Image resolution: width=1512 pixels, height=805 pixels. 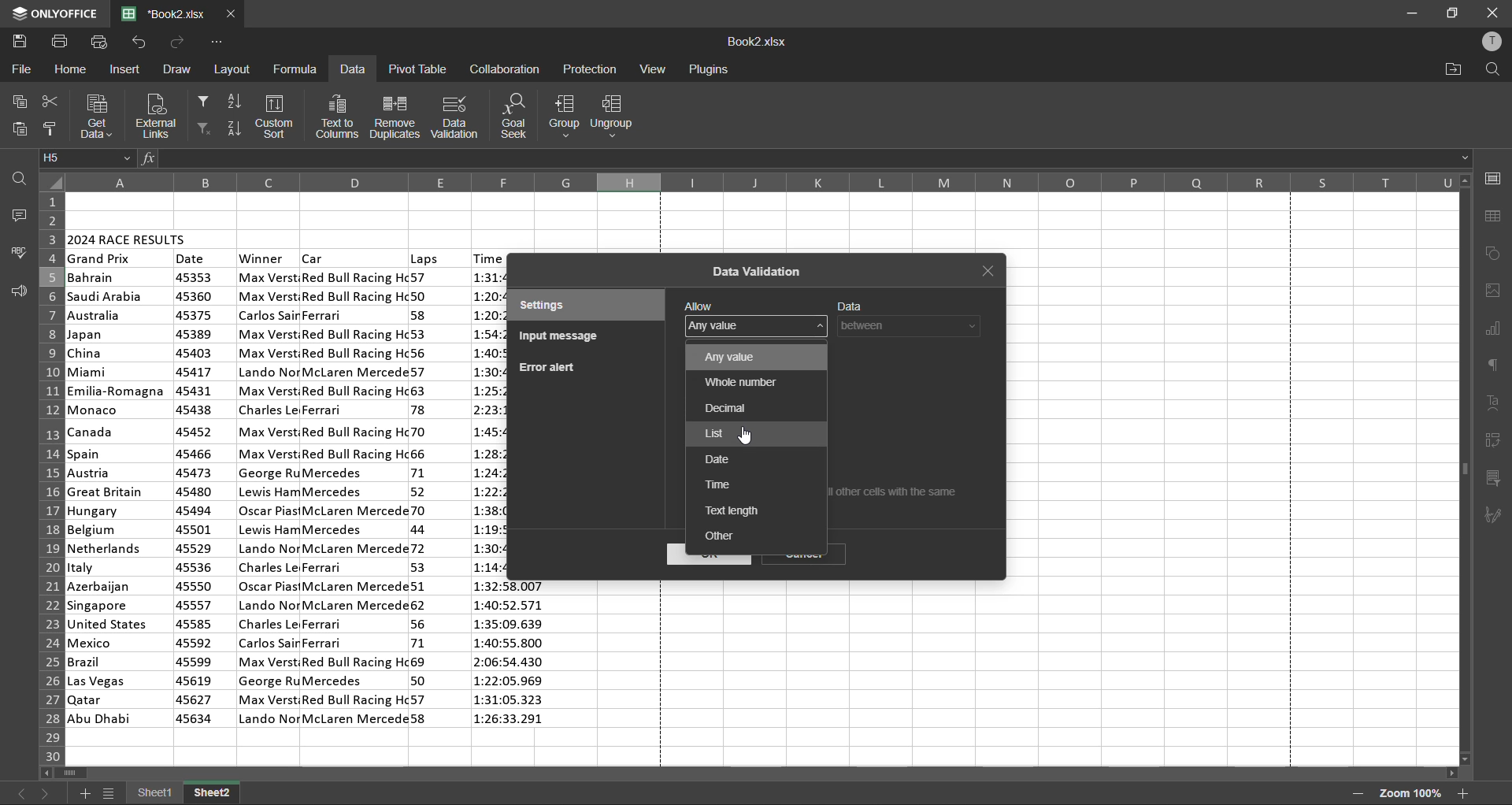 What do you see at coordinates (1491, 44) in the screenshot?
I see `profile` at bounding box center [1491, 44].